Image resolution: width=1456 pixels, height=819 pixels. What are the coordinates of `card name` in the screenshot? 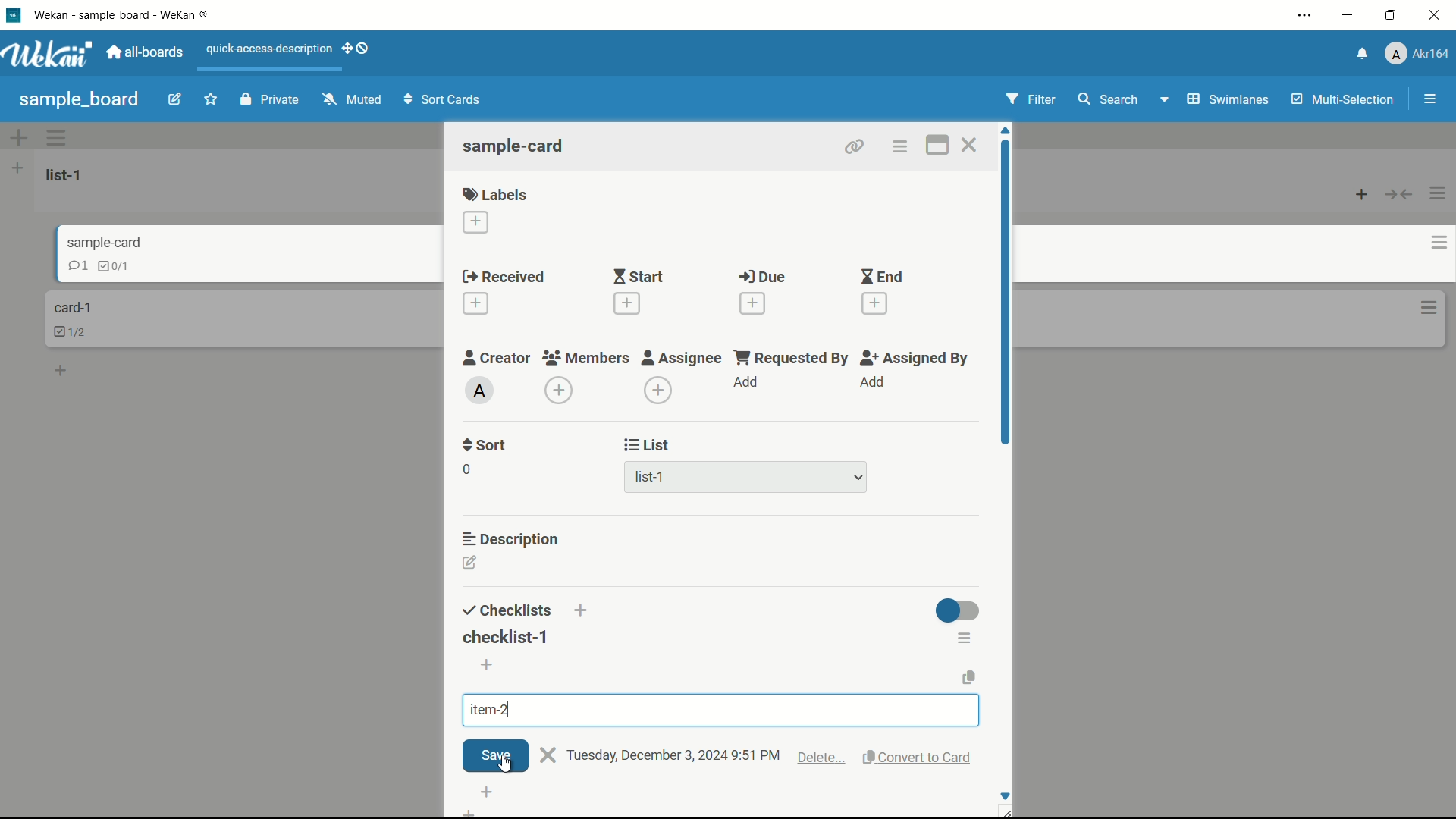 It's located at (102, 240).